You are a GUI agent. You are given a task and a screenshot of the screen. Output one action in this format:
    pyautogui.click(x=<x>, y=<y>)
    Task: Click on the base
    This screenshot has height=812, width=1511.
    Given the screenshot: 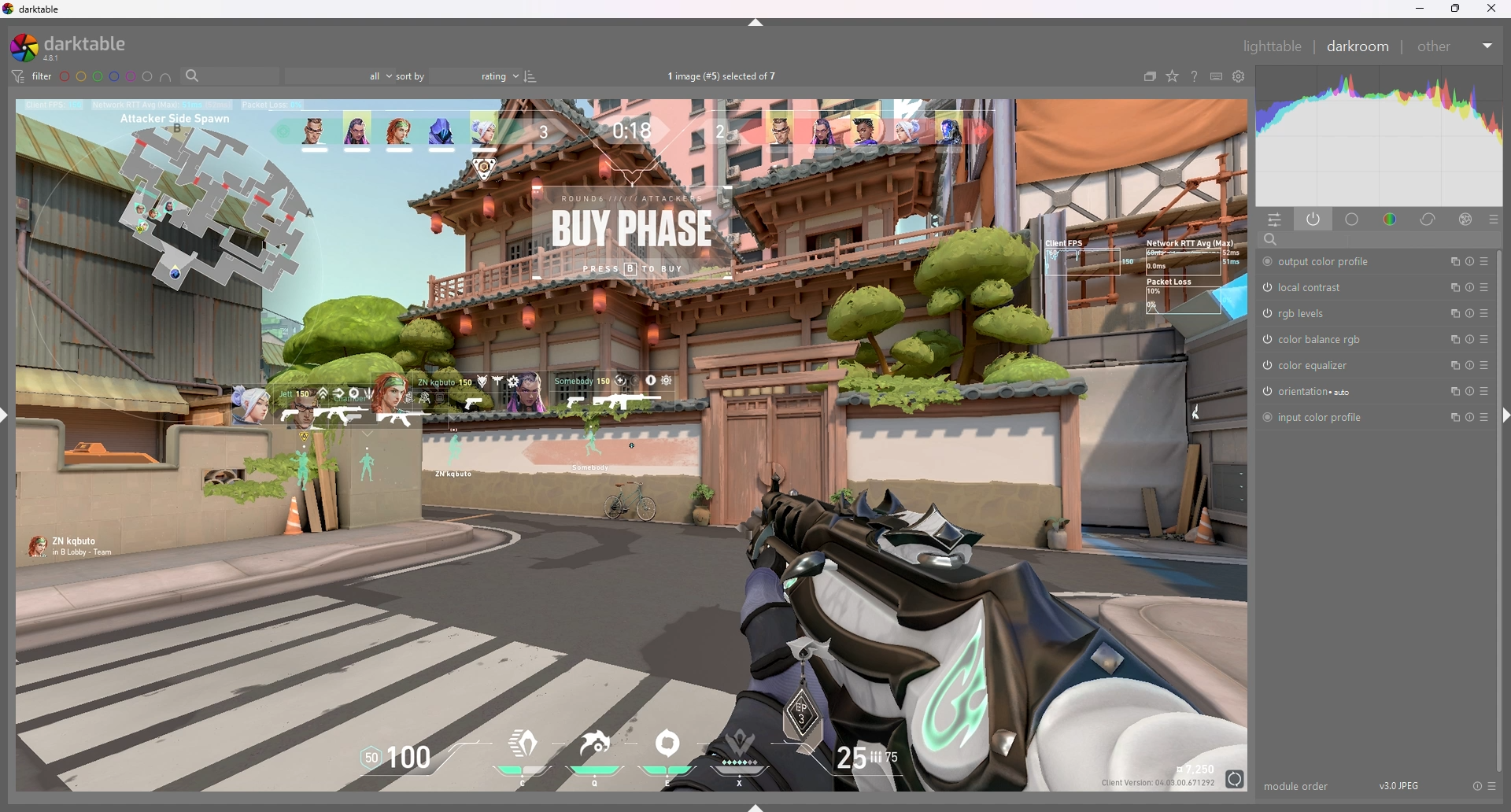 What is the action you would take?
    pyautogui.click(x=1354, y=219)
    